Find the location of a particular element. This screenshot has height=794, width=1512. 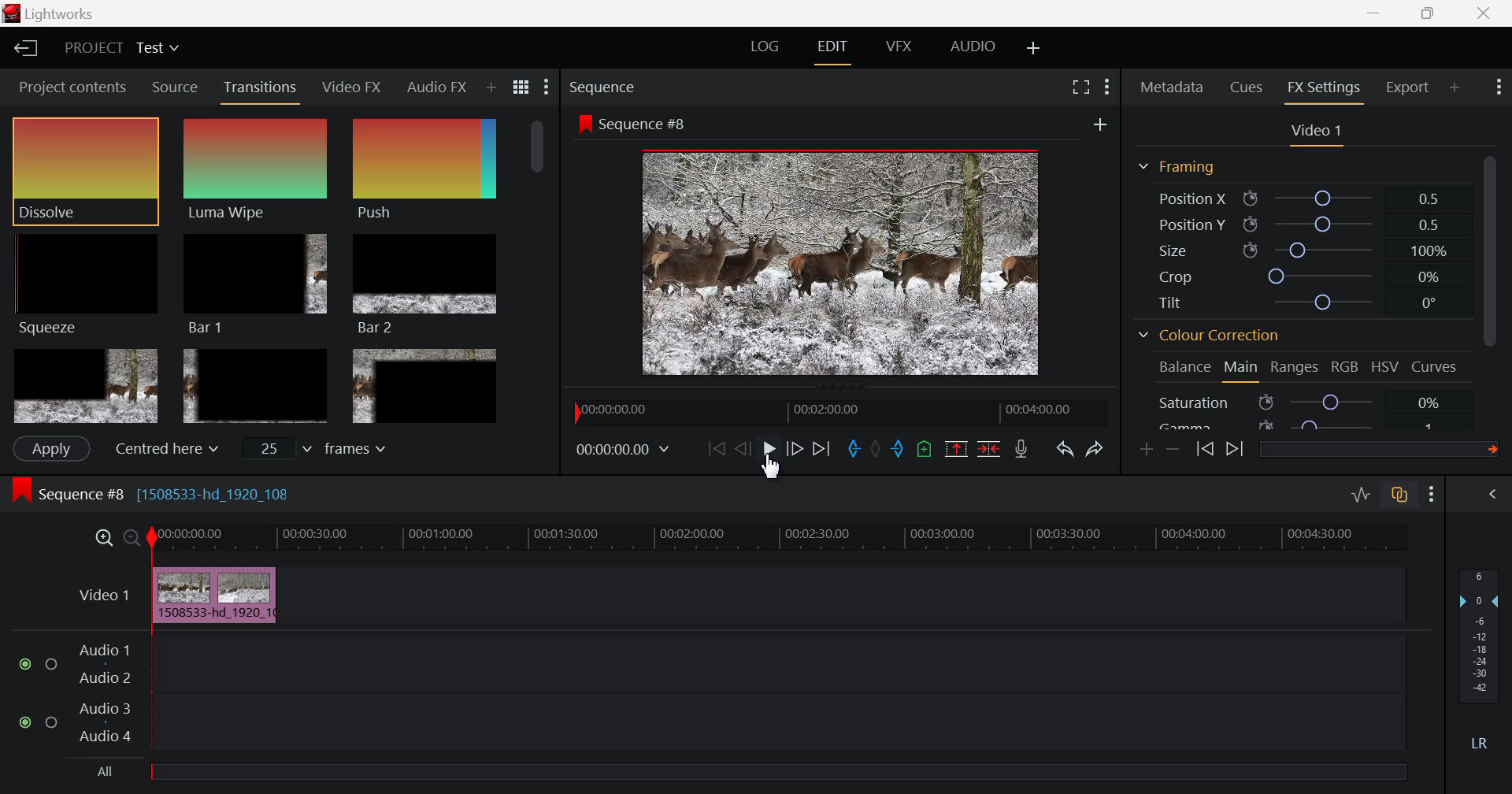

Saturation is located at coordinates (1303, 402).